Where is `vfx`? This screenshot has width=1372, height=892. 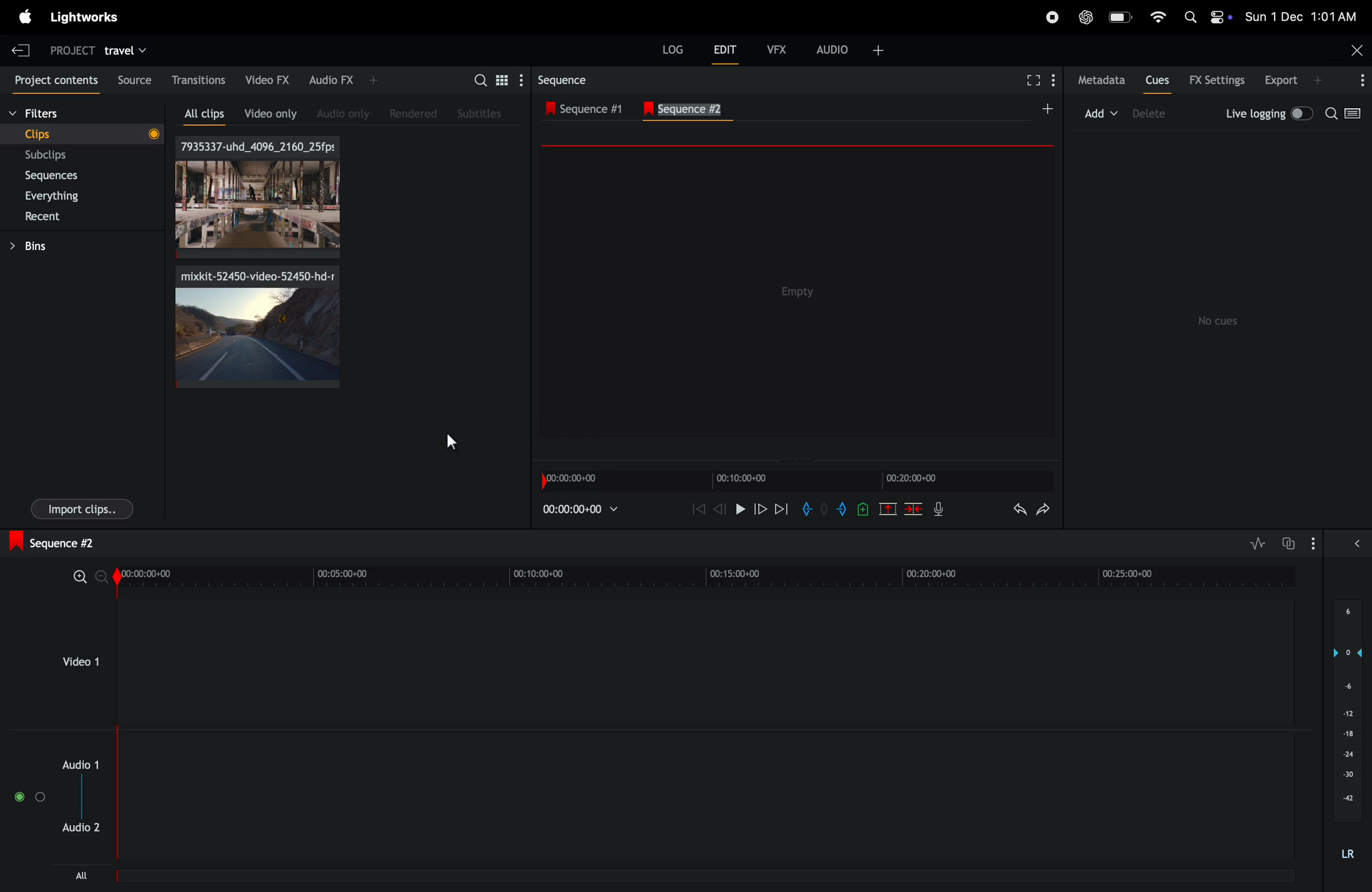 vfx is located at coordinates (773, 48).